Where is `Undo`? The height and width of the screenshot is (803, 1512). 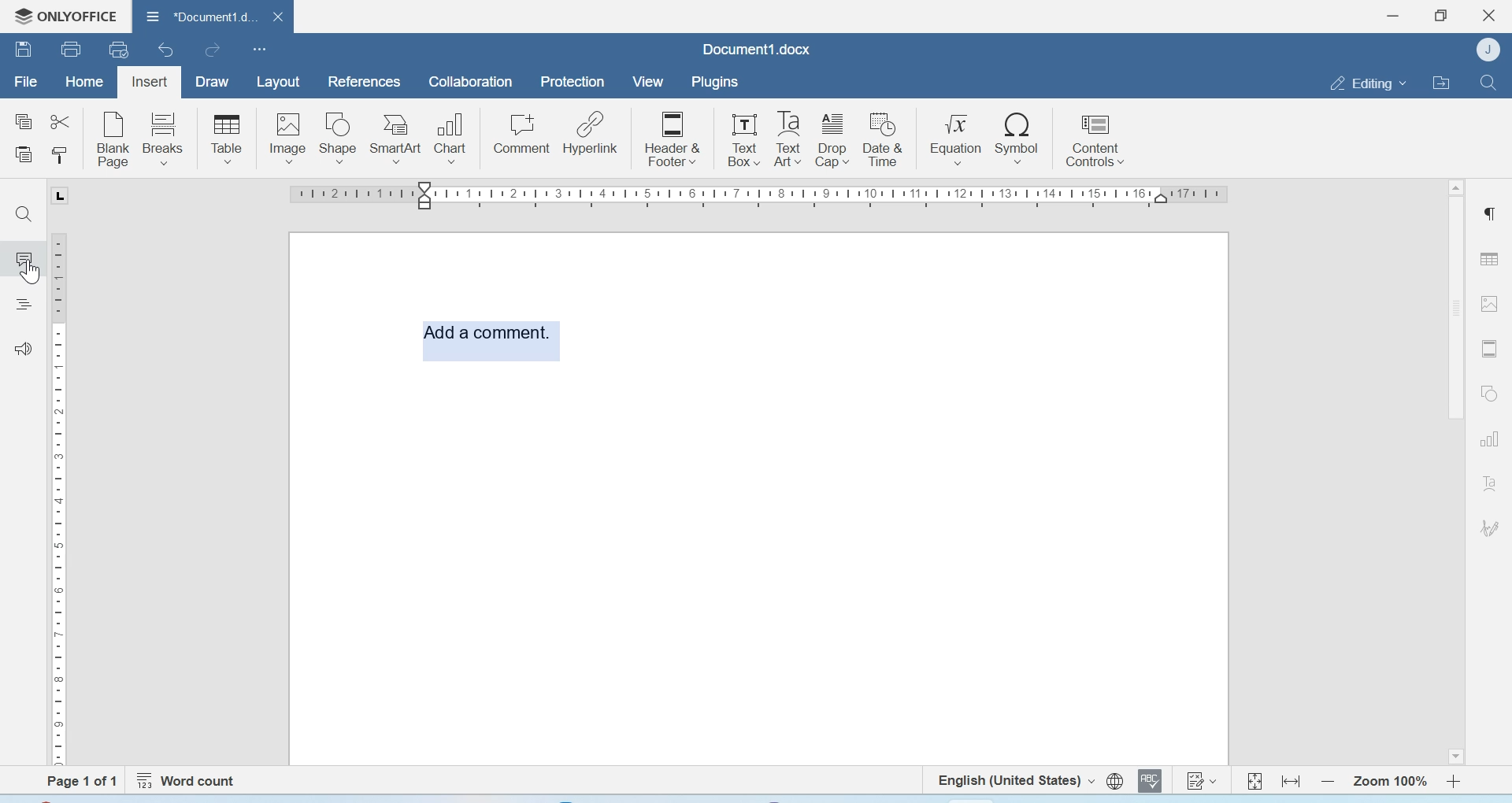
Undo is located at coordinates (168, 50).